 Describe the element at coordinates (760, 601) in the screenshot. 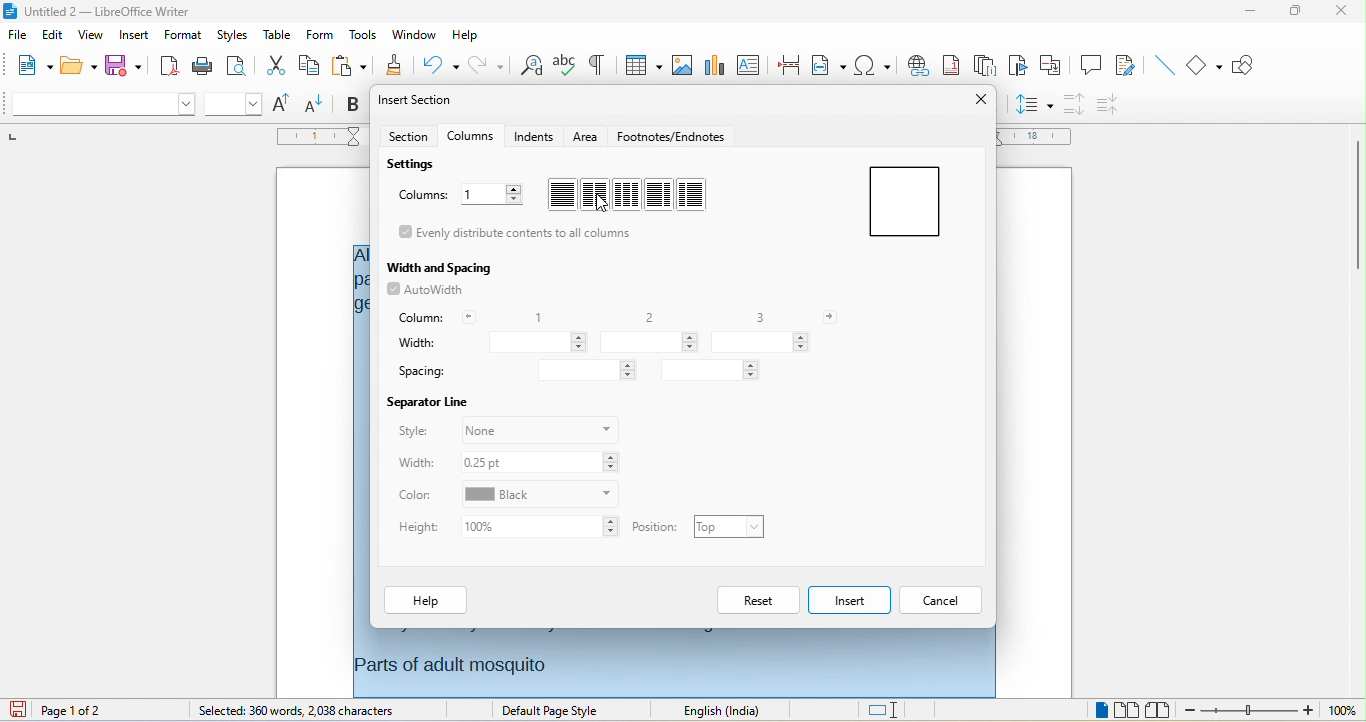

I see `reset` at that location.